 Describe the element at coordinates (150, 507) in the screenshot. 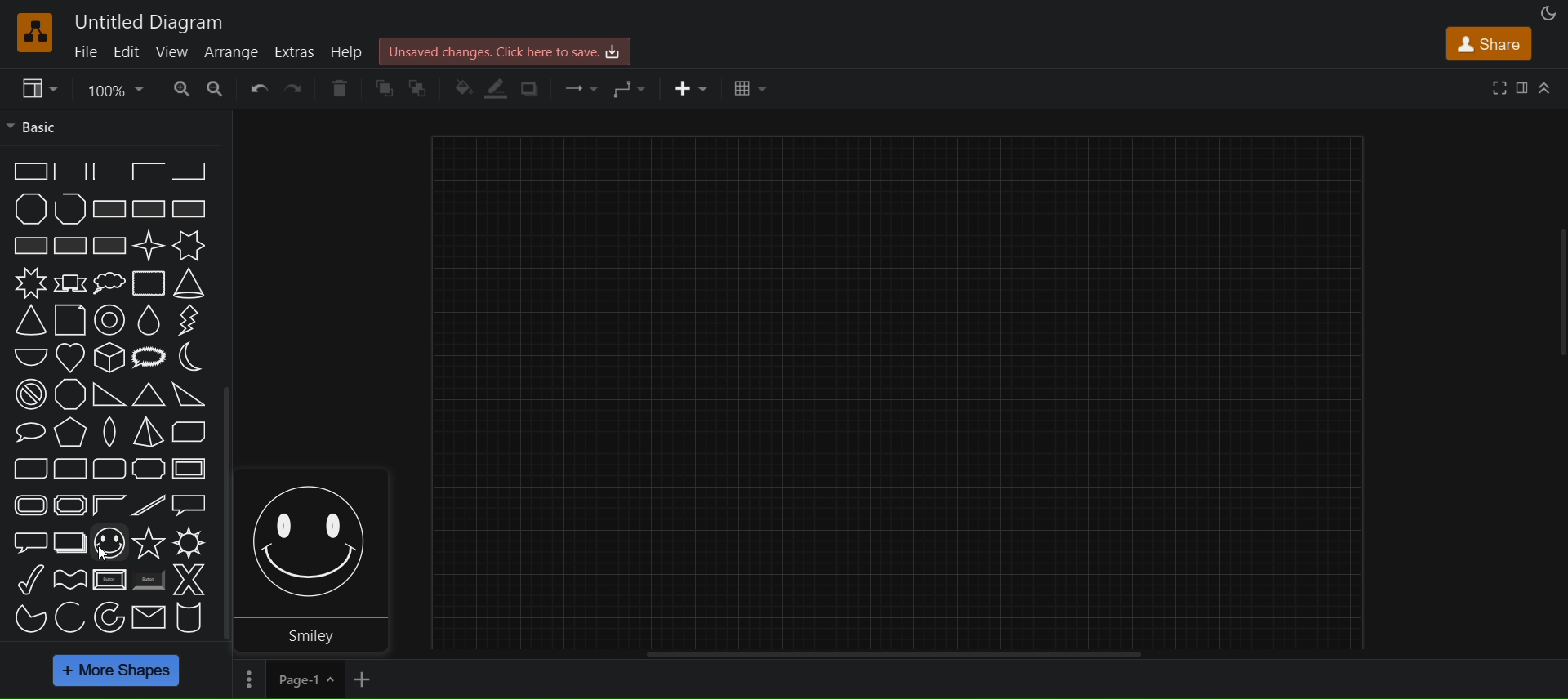

I see `diagonal strip` at that location.